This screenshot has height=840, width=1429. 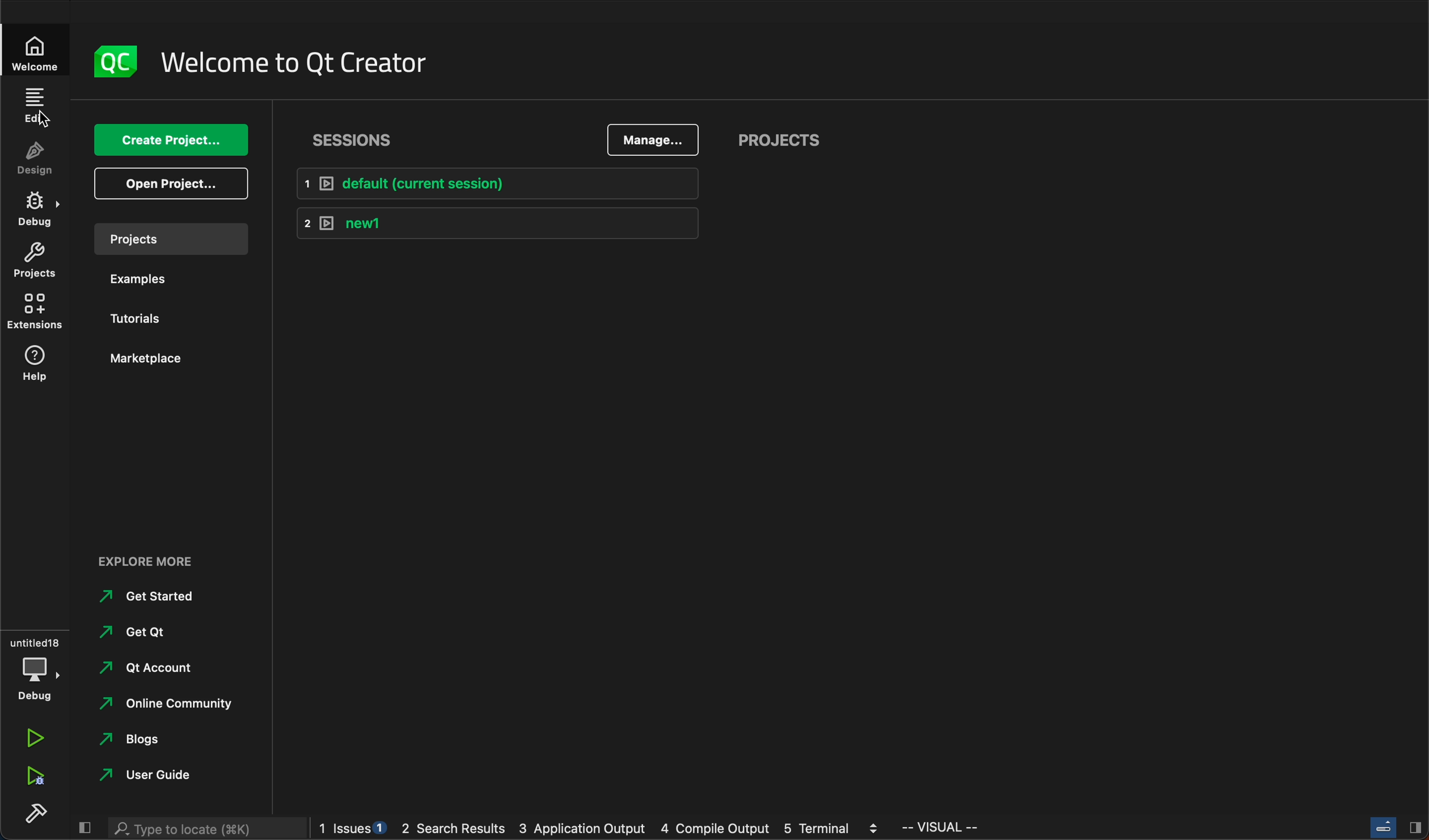 I want to click on visual, so click(x=942, y=828).